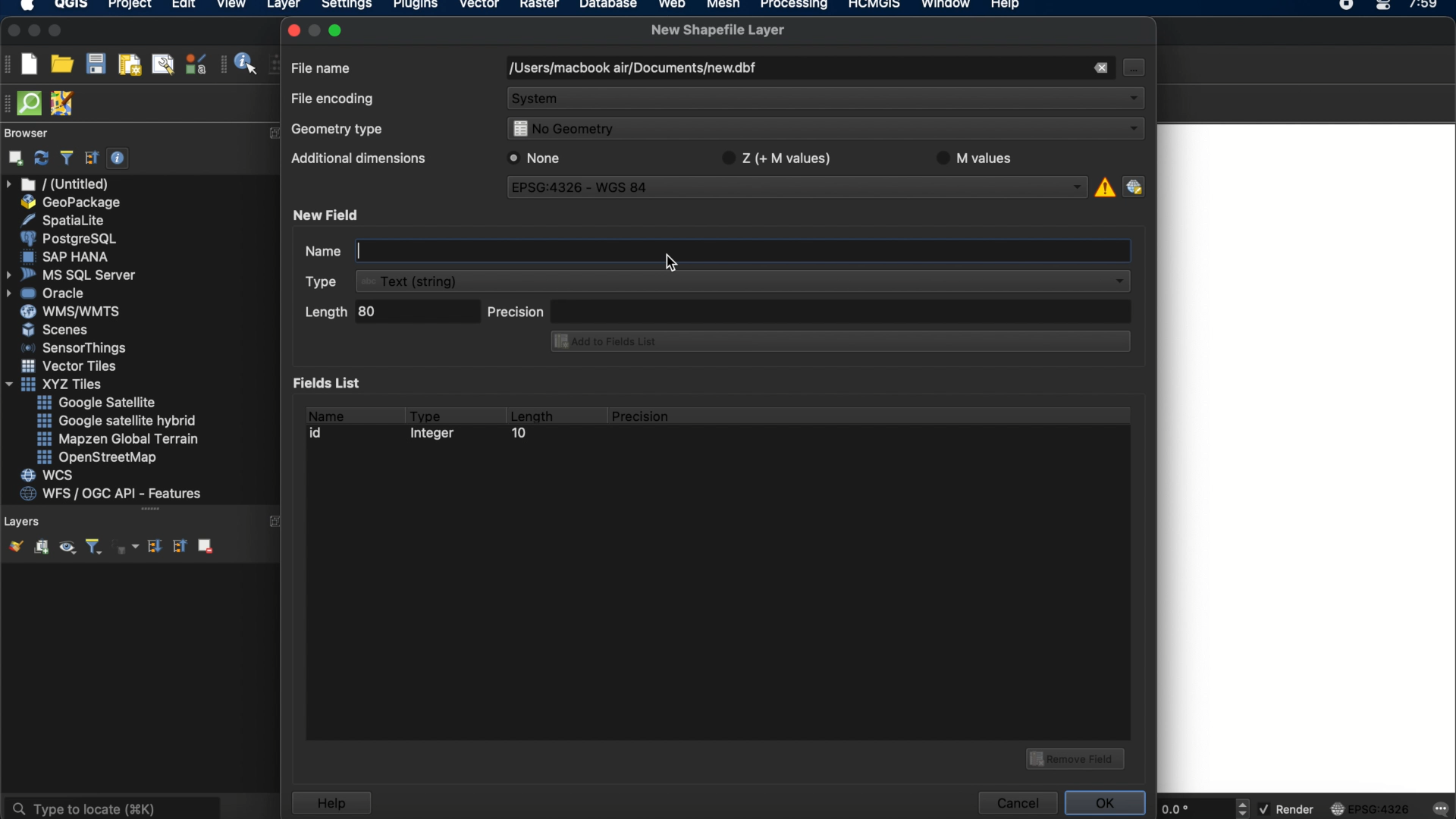  Describe the element at coordinates (1425, 9) in the screenshot. I see `time` at that location.